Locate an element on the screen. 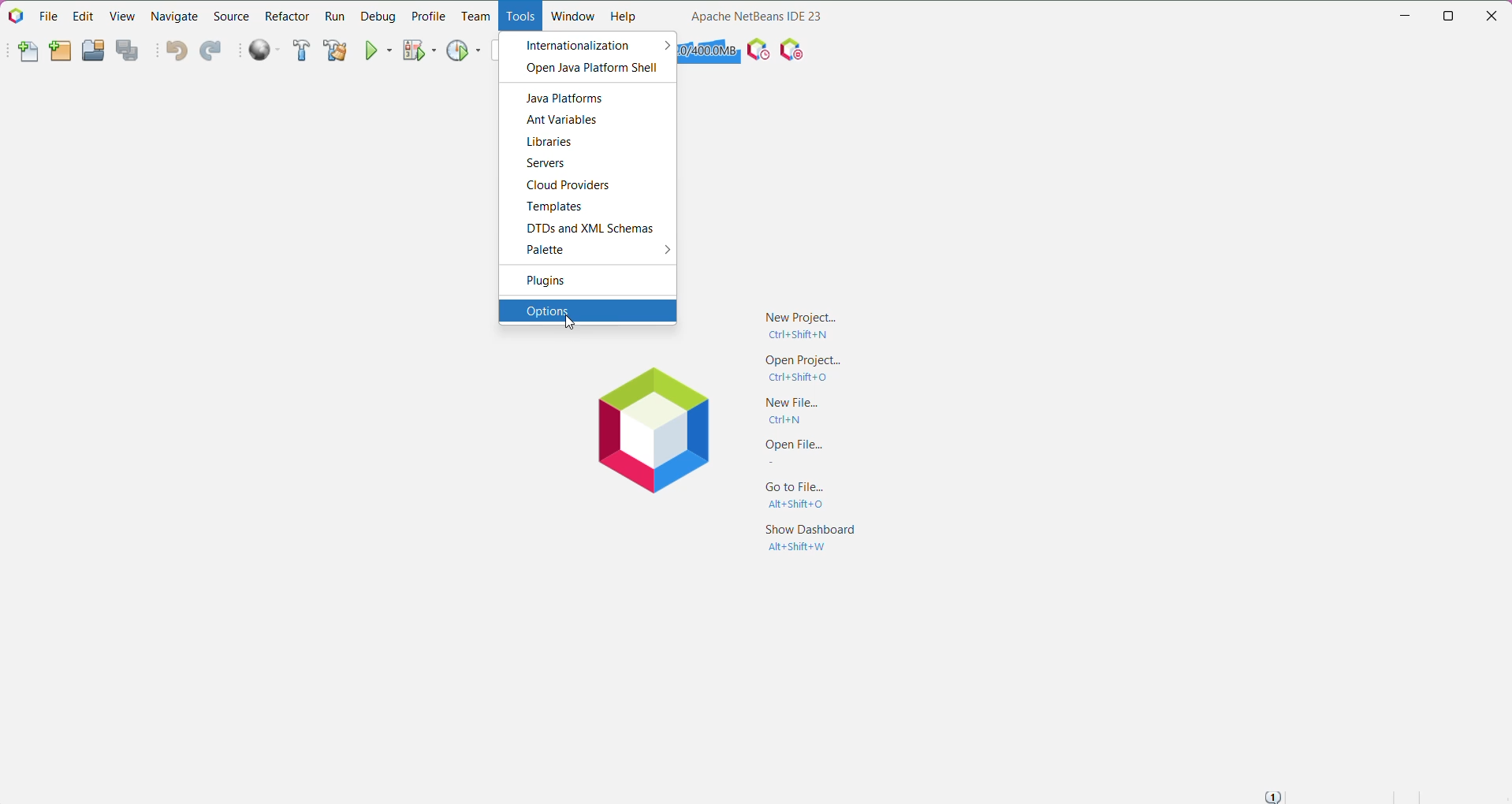 The height and width of the screenshot is (804, 1512). Servers is located at coordinates (546, 164).